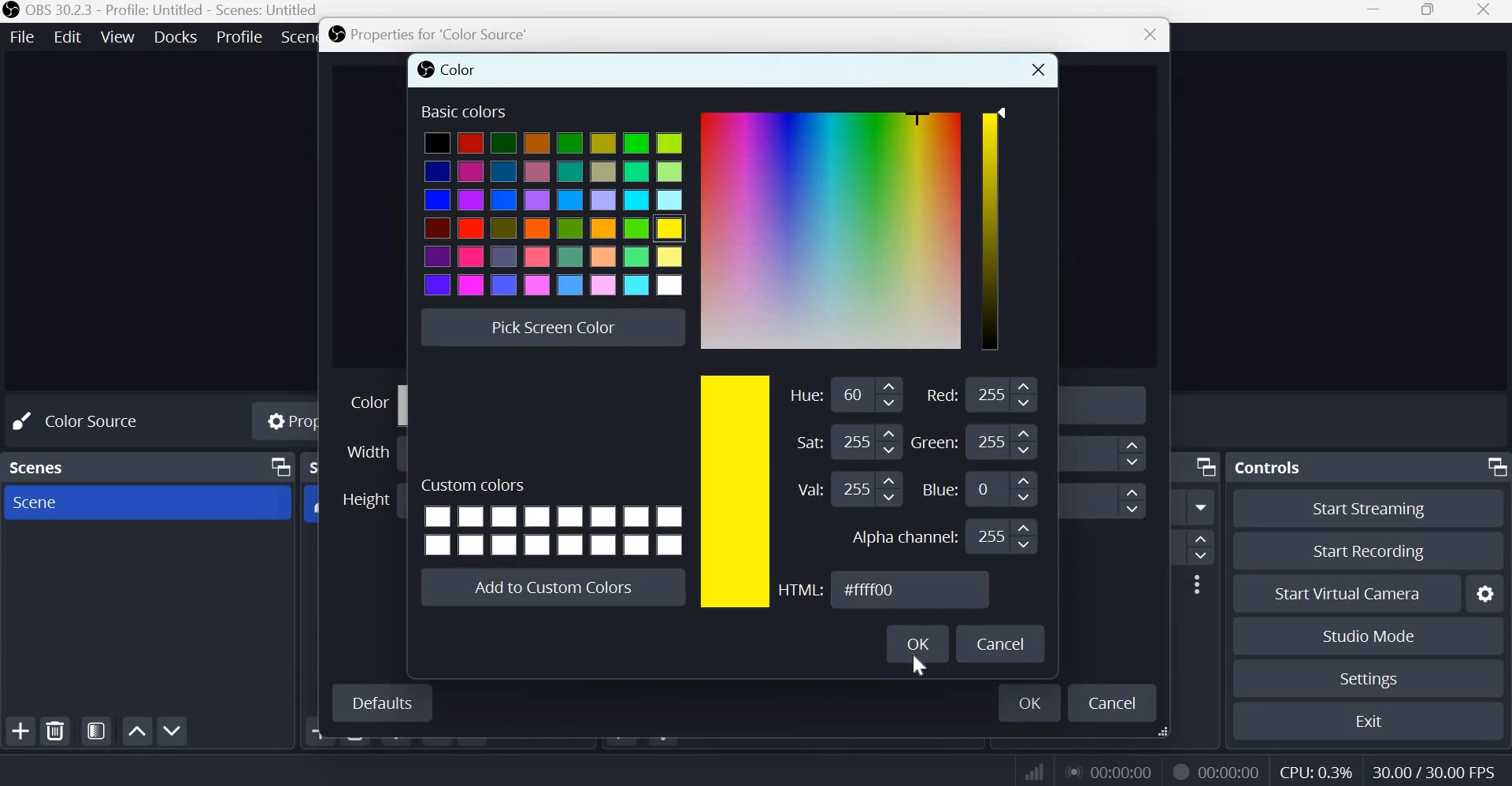 The image size is (1512, 786). What do you see at coordinates (1036, 73) in the screenshot?
I see `close` at bounding box center [1036, 73].